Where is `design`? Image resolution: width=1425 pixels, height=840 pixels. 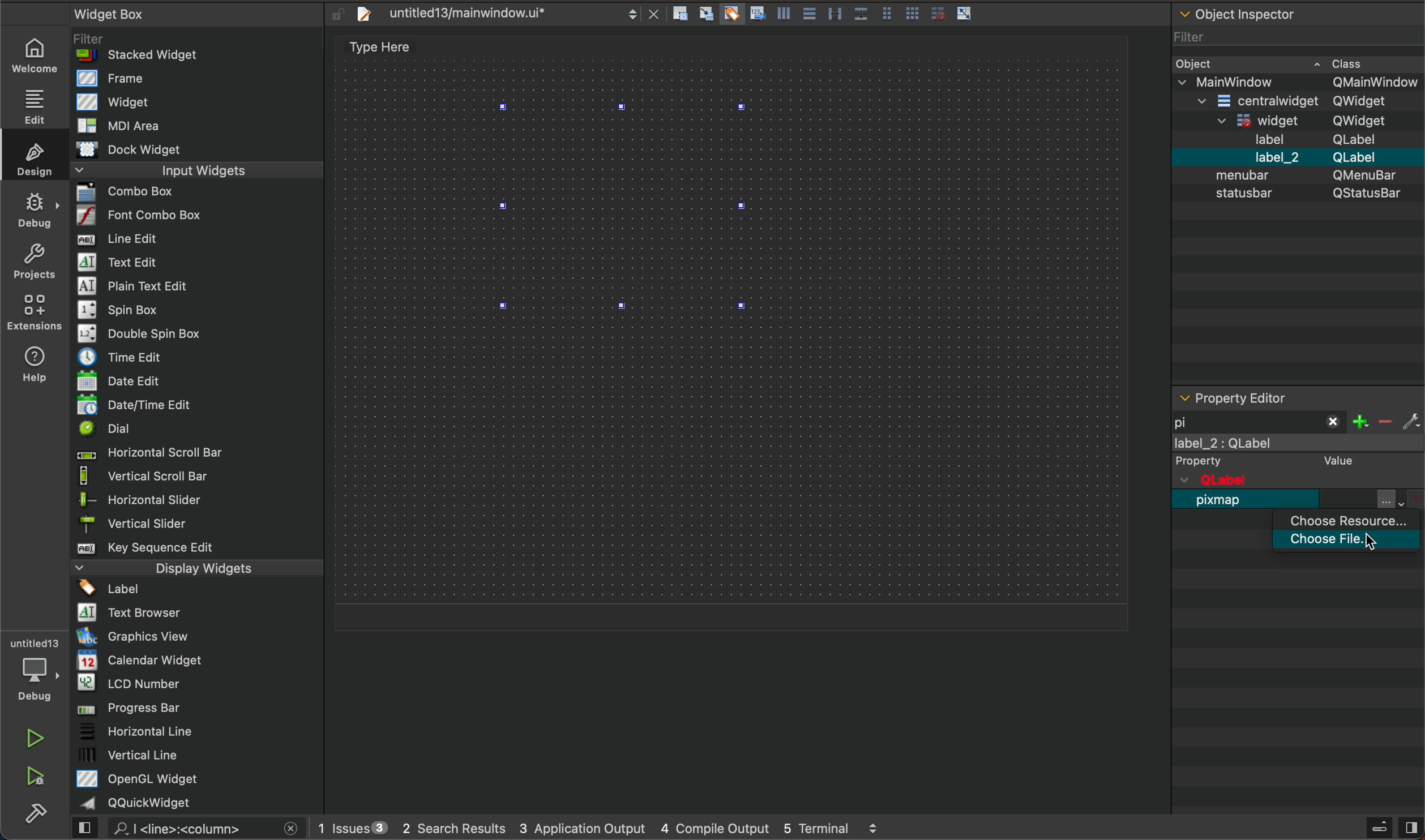 design is located at coordinates (33, 156).